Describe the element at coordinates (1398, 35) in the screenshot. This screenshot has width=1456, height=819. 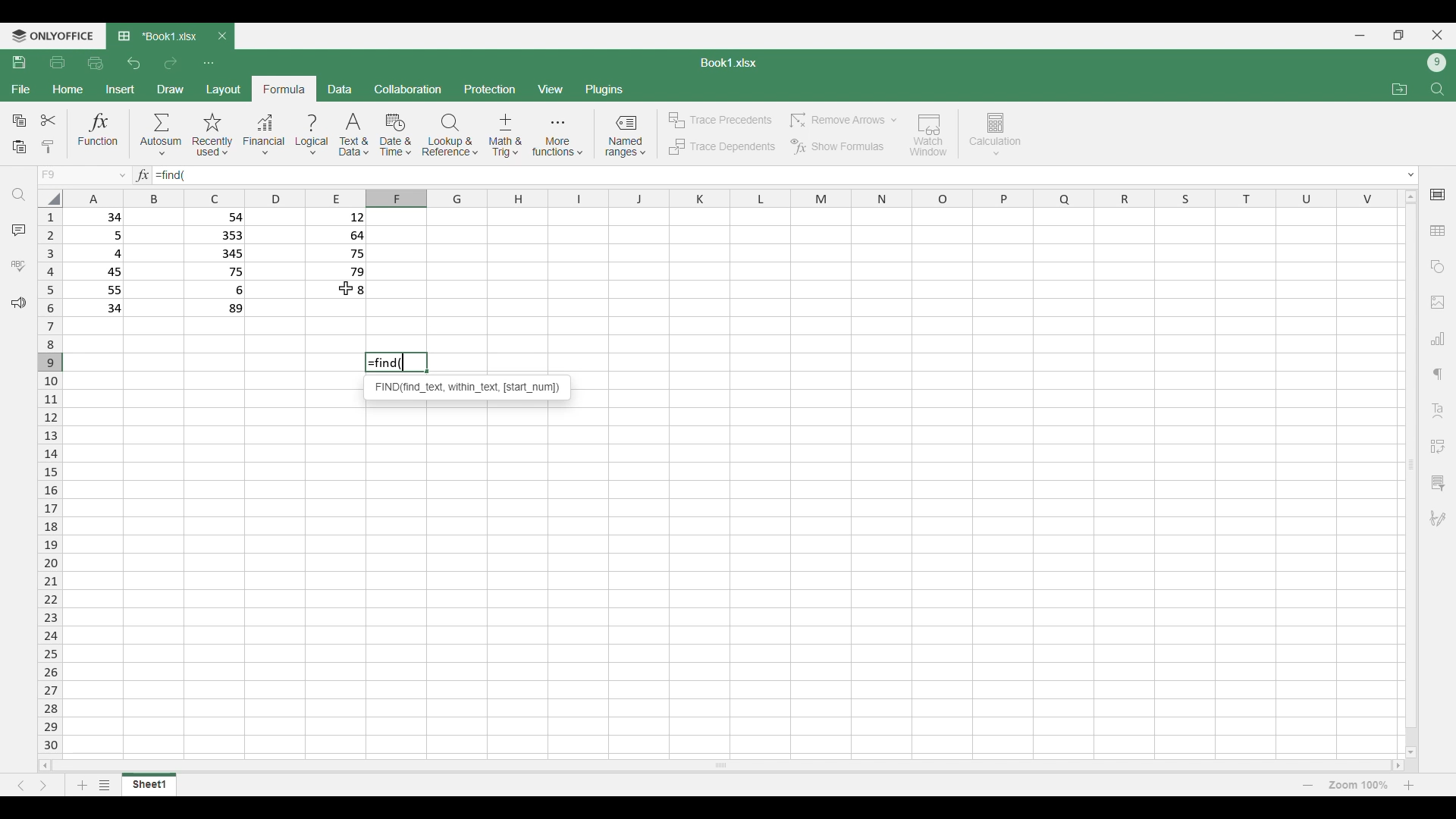
I see `Show in smaller tab` at that location.